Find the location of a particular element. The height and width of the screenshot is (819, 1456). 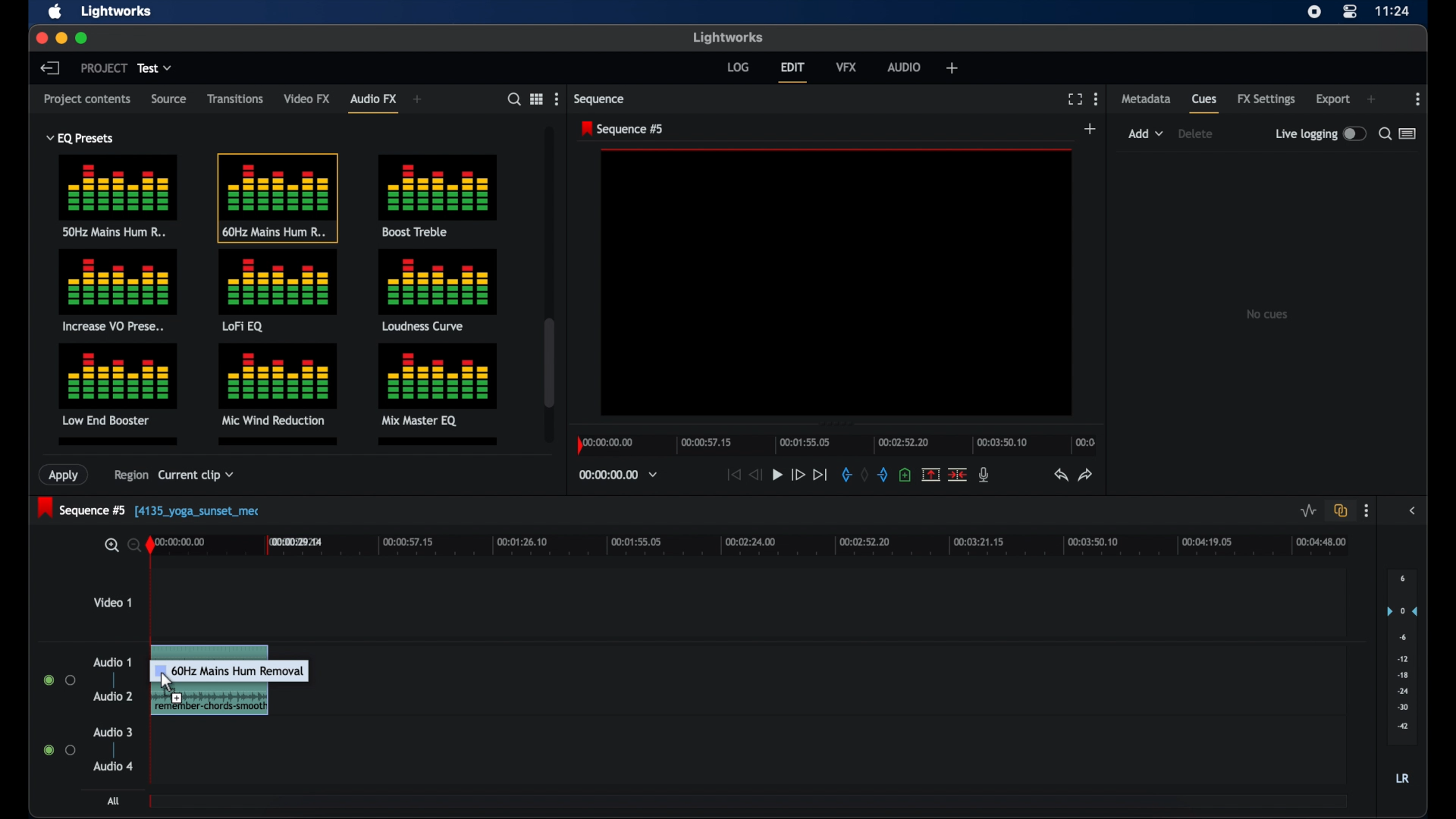

increase presets is located at coordinates (119, 291).